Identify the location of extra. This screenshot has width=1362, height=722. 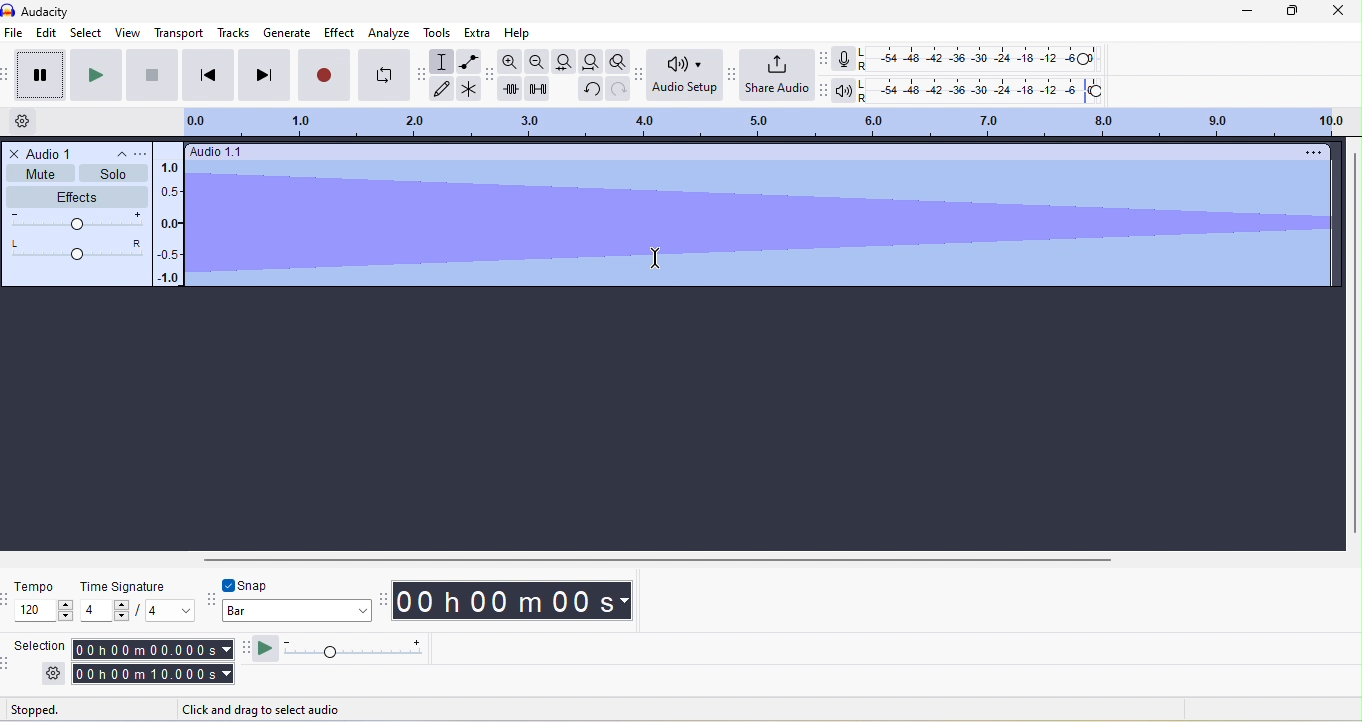
(476, 32).